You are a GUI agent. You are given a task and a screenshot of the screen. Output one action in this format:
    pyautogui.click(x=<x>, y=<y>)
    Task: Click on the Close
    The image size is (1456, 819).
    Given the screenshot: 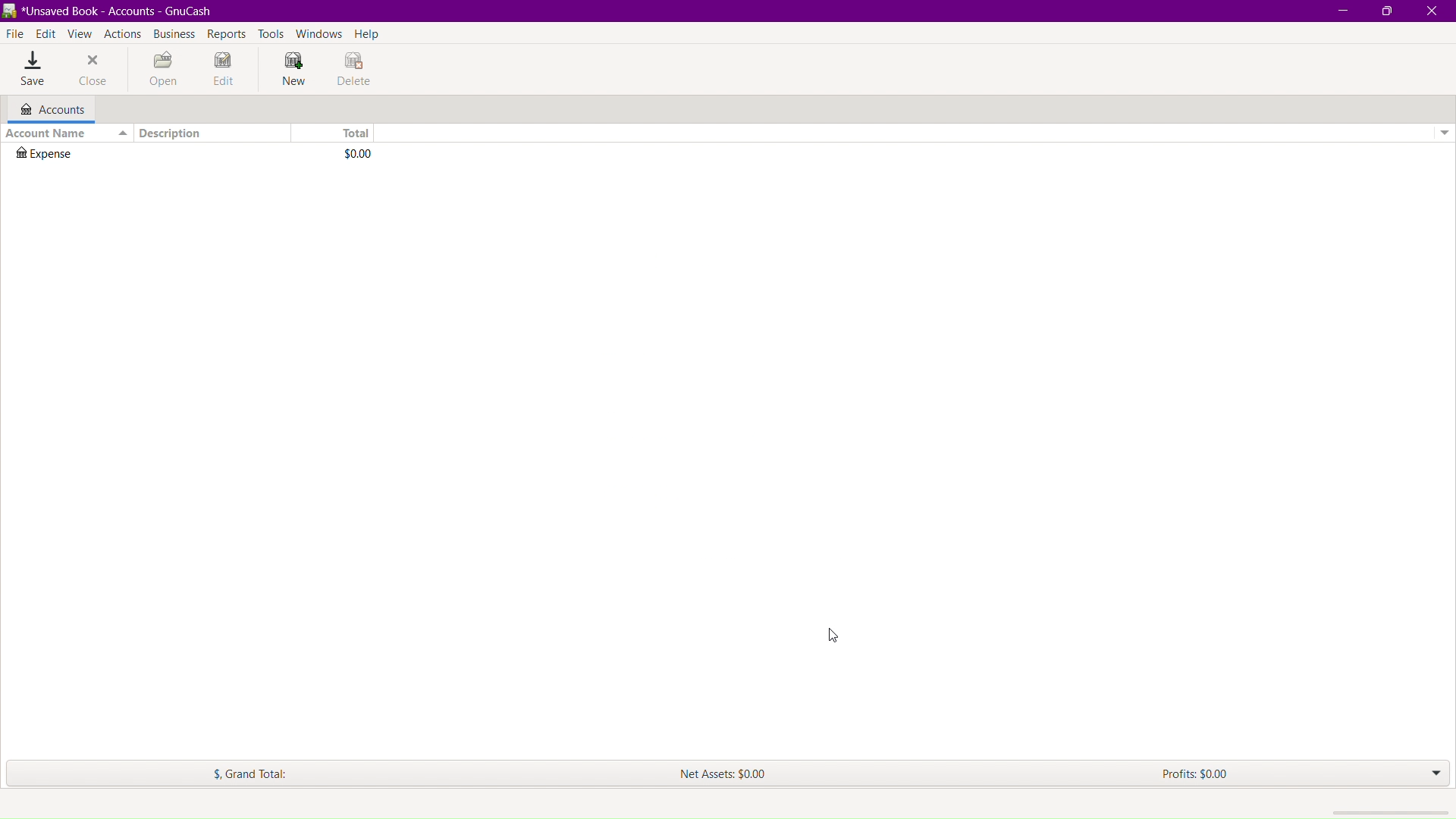 What is the action you would take?
    pyautogui.click(x=1432, y=11)
    